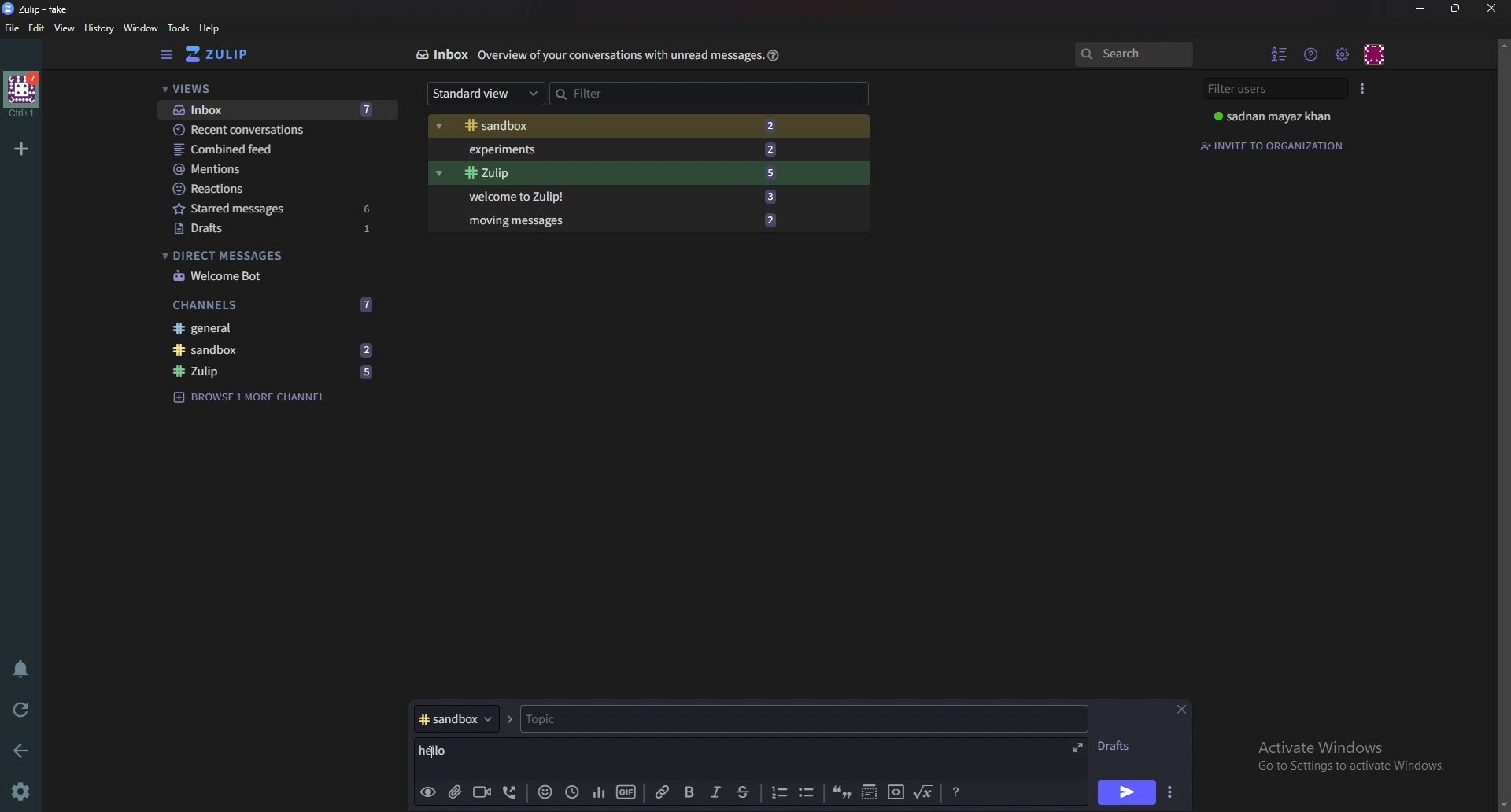  What do you see at coordinates (22, 149) in the screenshot?
I see `Add organization` at bounding box center [22, 149].